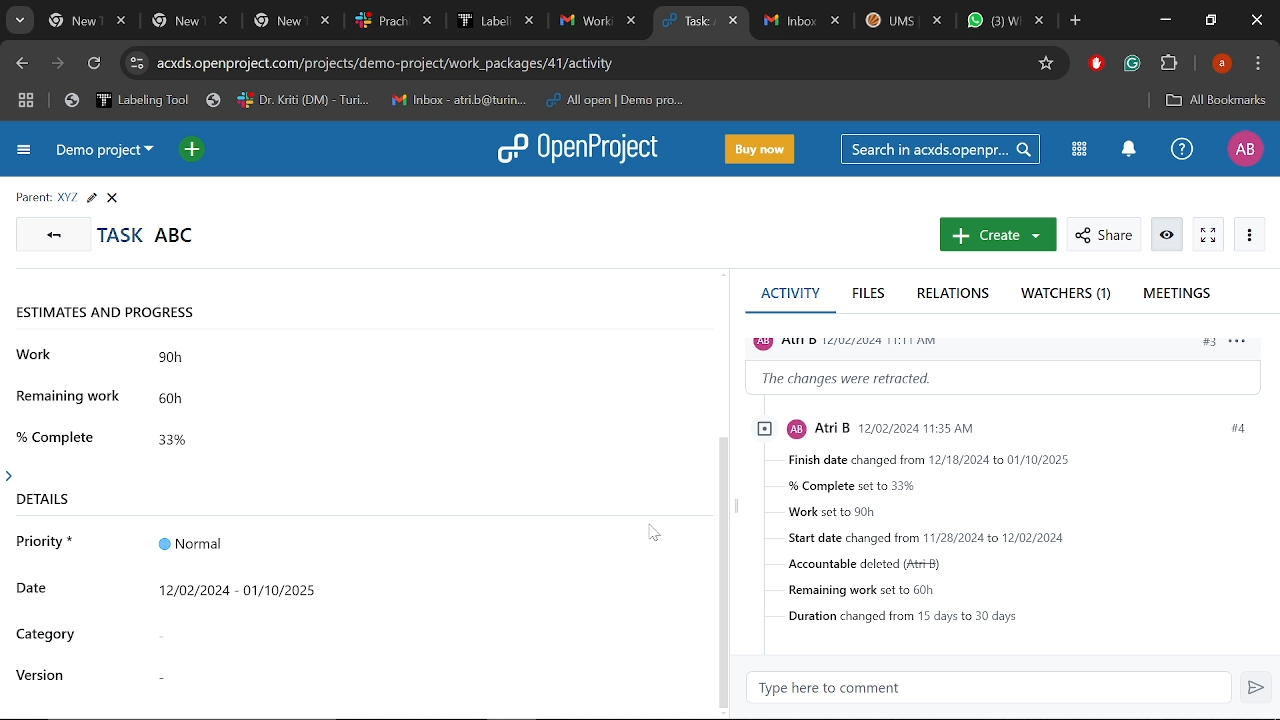 The height and width of the screenshot is (720, 1280). Describe the element at coordinates (1169, 65) in the screenshot. I see `Extenions` at that location.